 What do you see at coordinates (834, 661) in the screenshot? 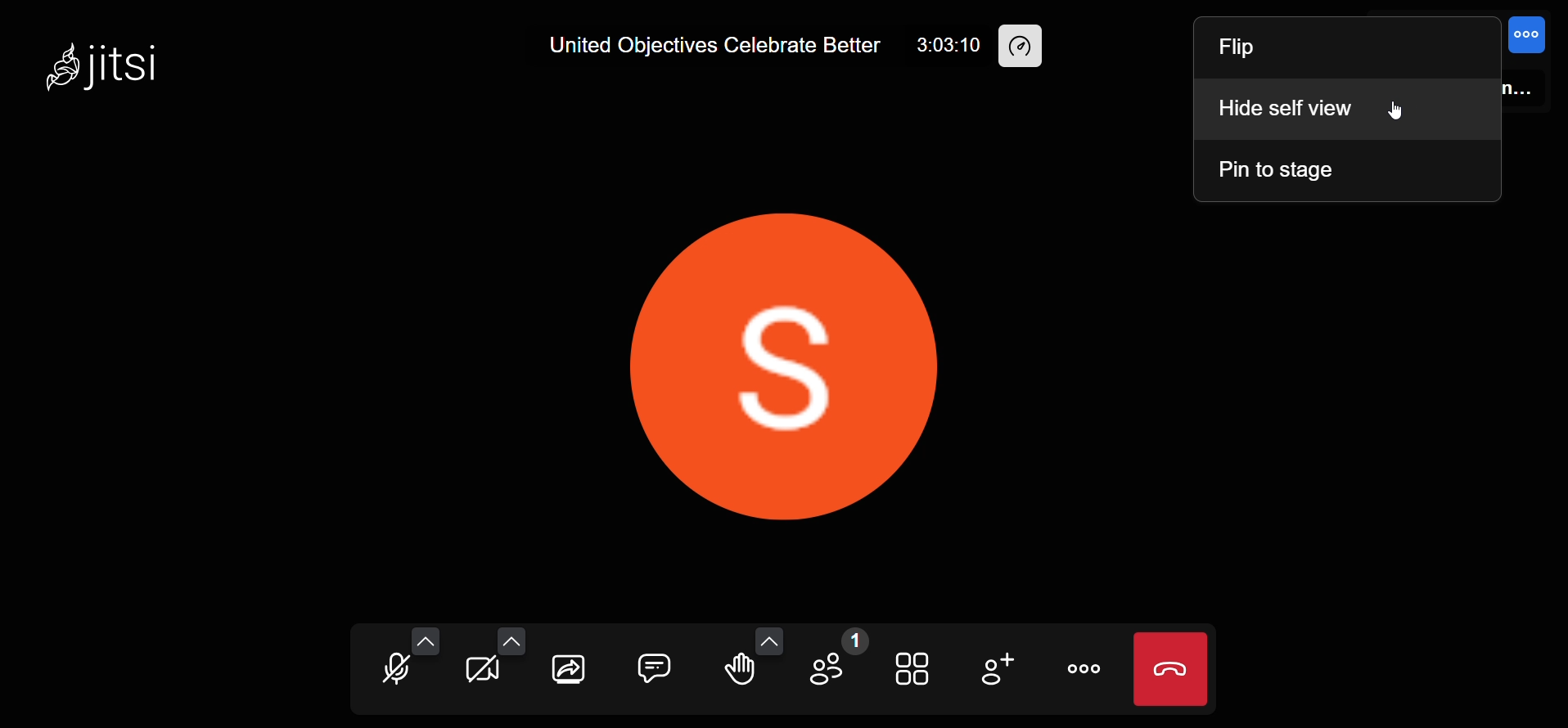
I see `participants` at bounding box center [834, 661].